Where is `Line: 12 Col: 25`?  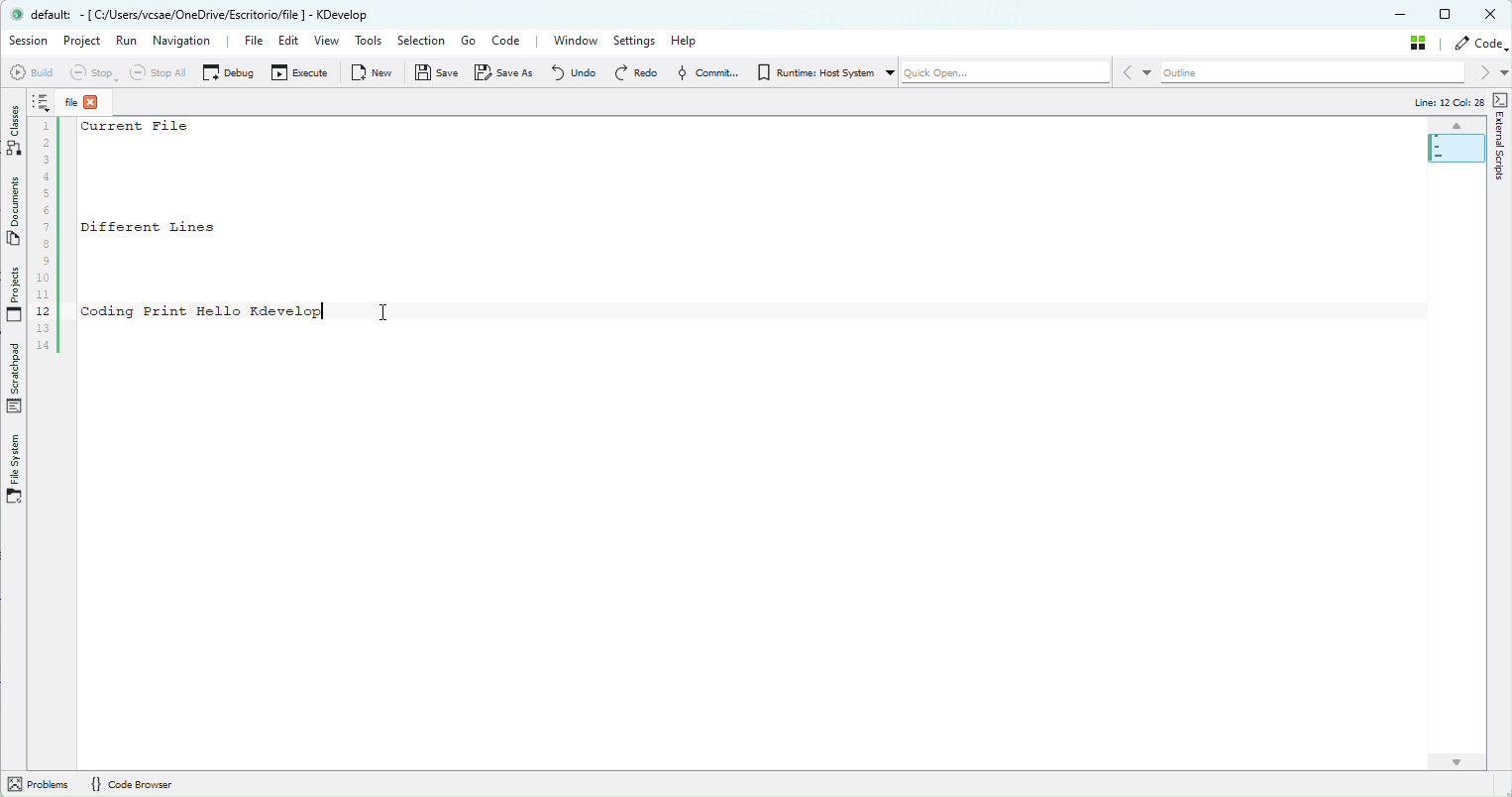 Line: 12 Col: 25 is located at coordinates (1447, 102).